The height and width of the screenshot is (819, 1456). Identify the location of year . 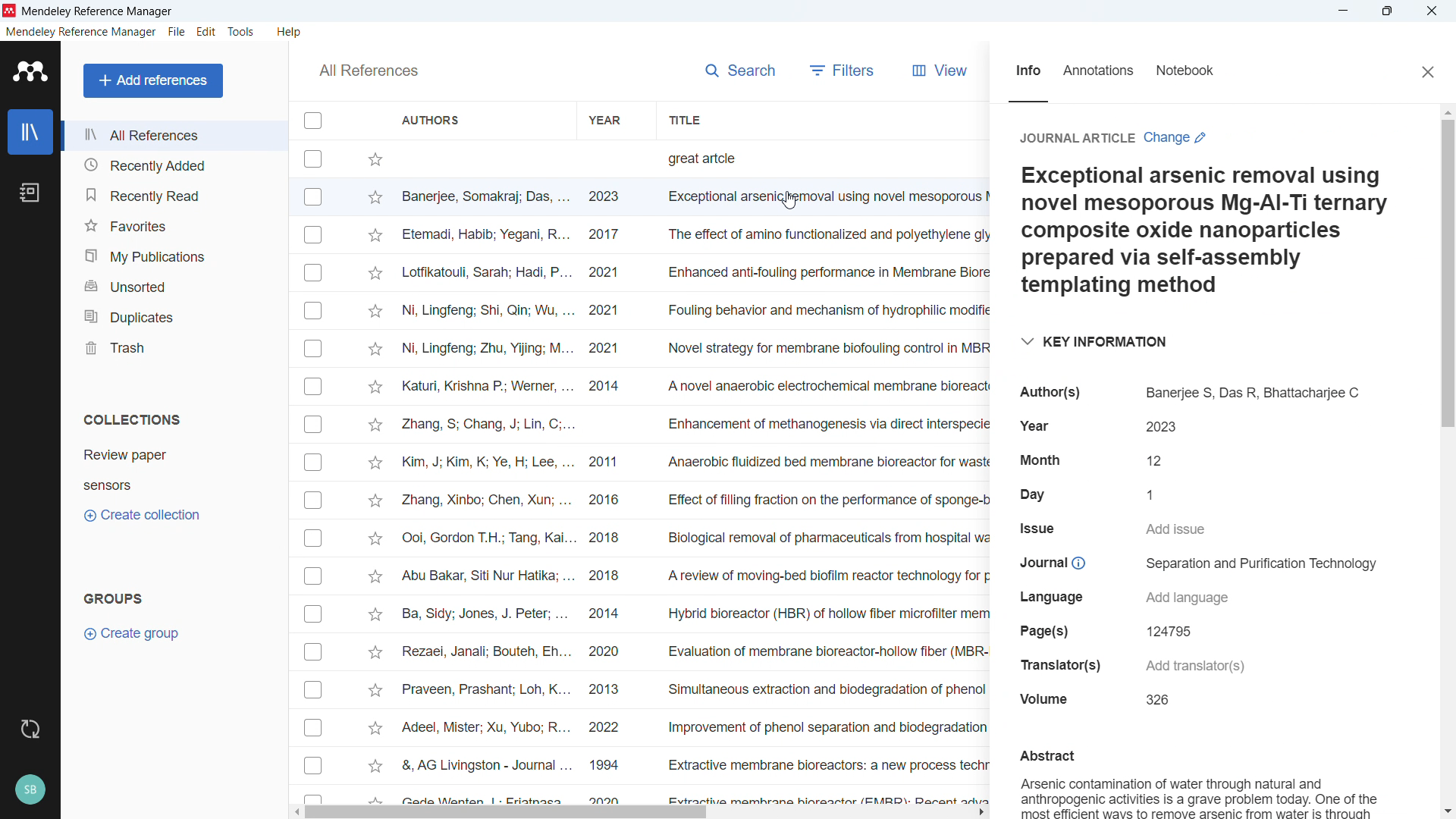
(1160, 428).